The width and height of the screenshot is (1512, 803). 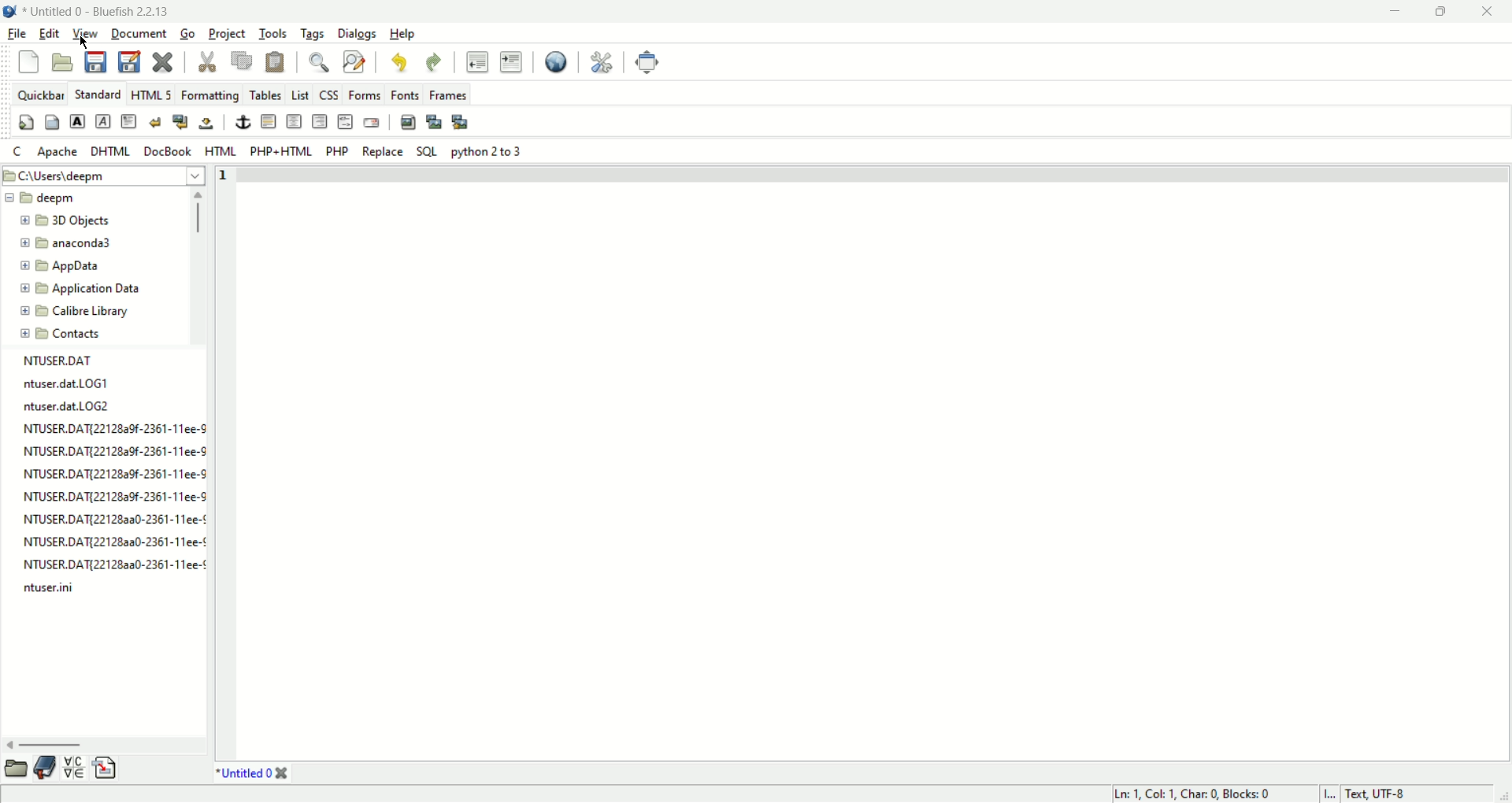 I want to click on NTUSER.DAT[22128aa0-2361-11ee-¢, so click(x=111, y=564).